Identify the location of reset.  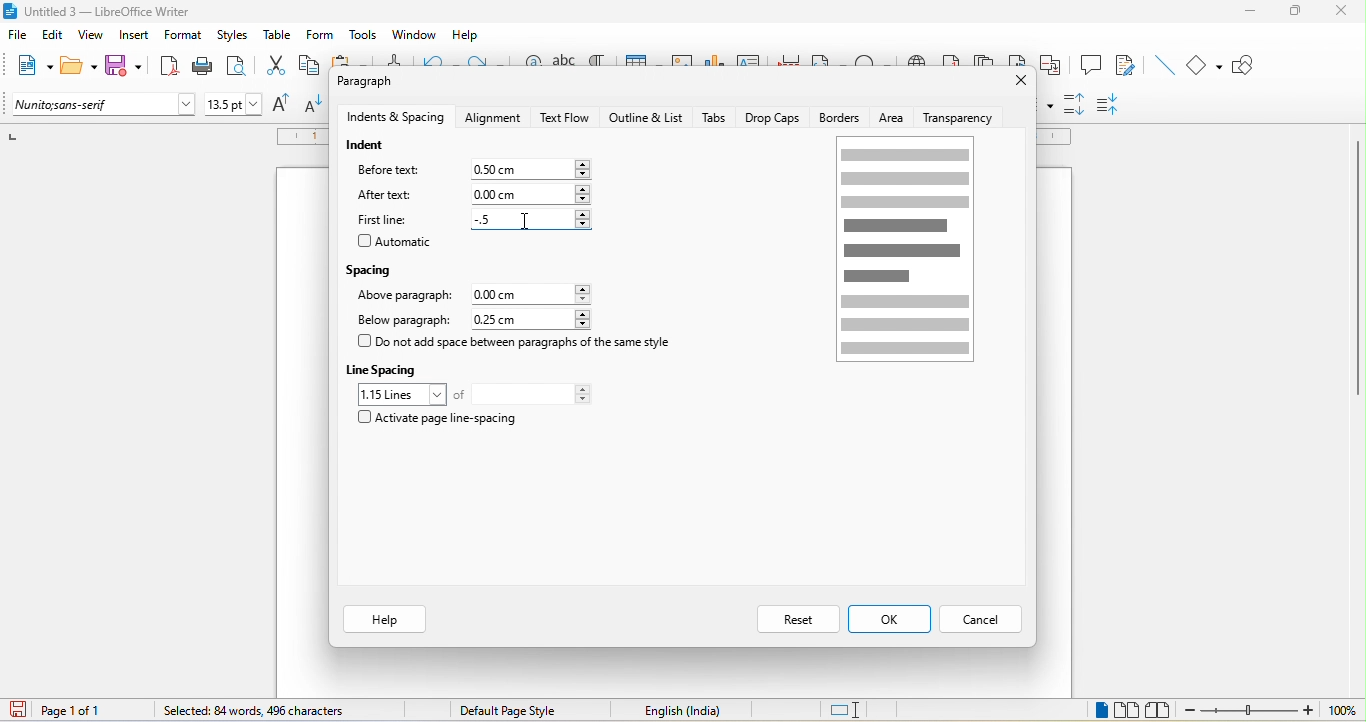
(800, 620).